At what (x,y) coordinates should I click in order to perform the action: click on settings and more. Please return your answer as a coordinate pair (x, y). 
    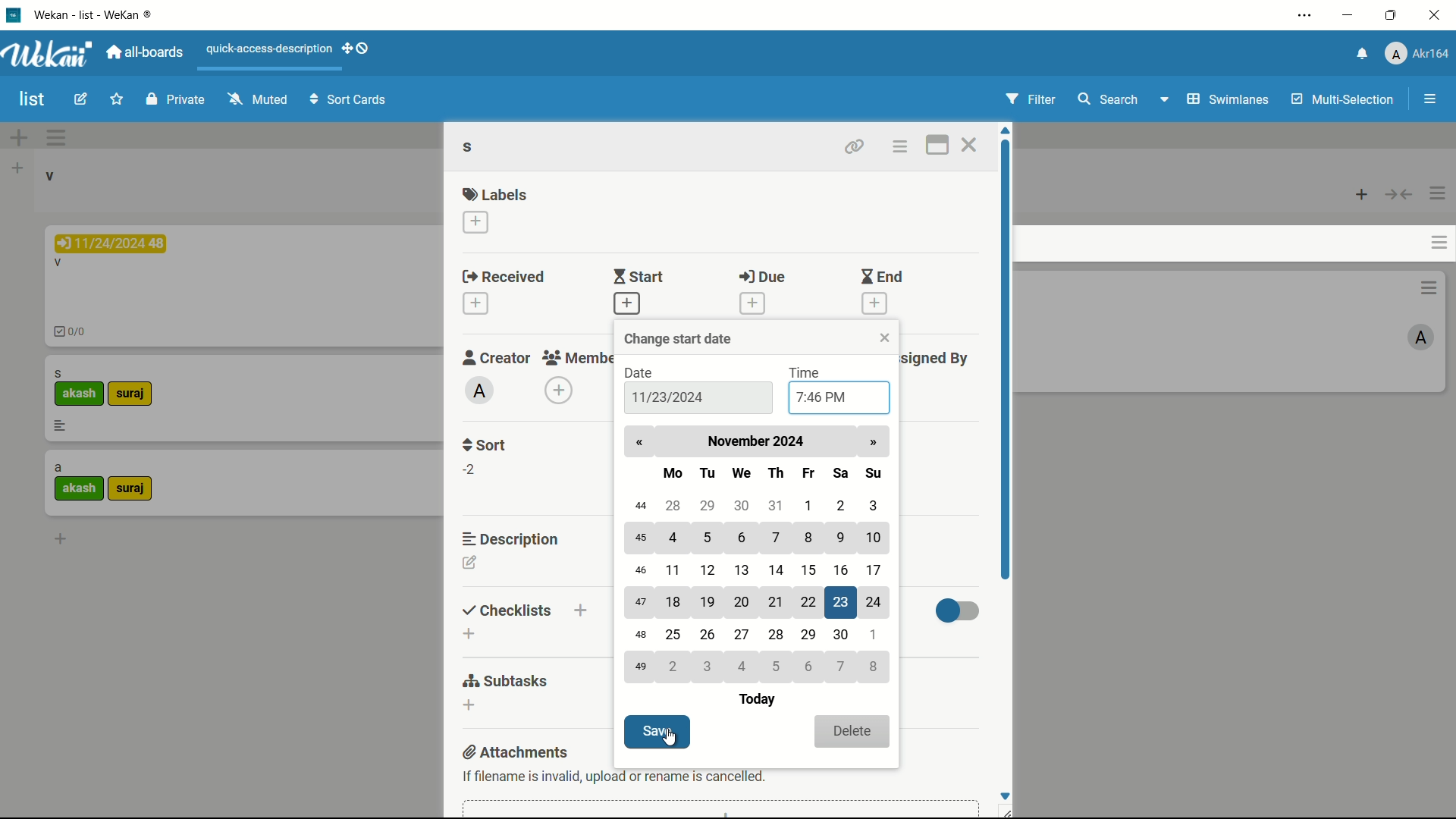
    Looking at the image, I should click on (1307, 15).